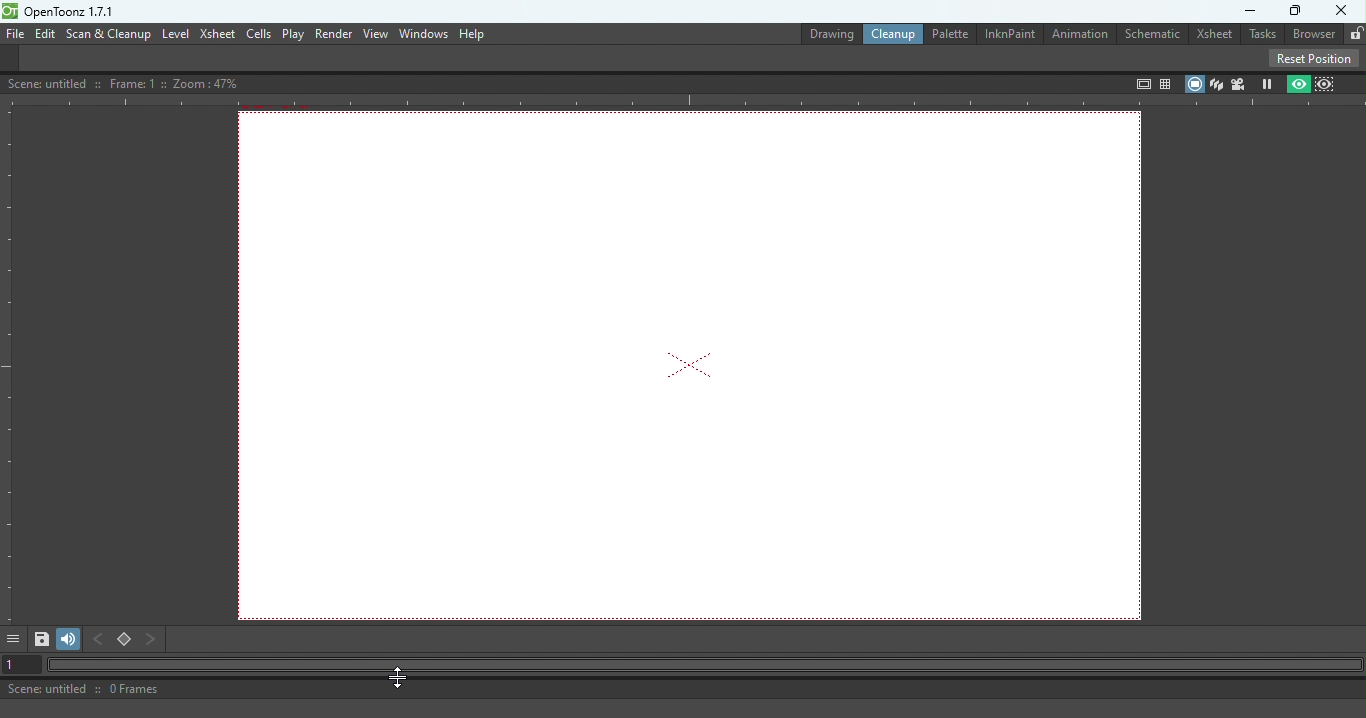  What do you see at coordinates (473, 33) in the screenshot?
I see `Help` at bounding box center [473, 33].